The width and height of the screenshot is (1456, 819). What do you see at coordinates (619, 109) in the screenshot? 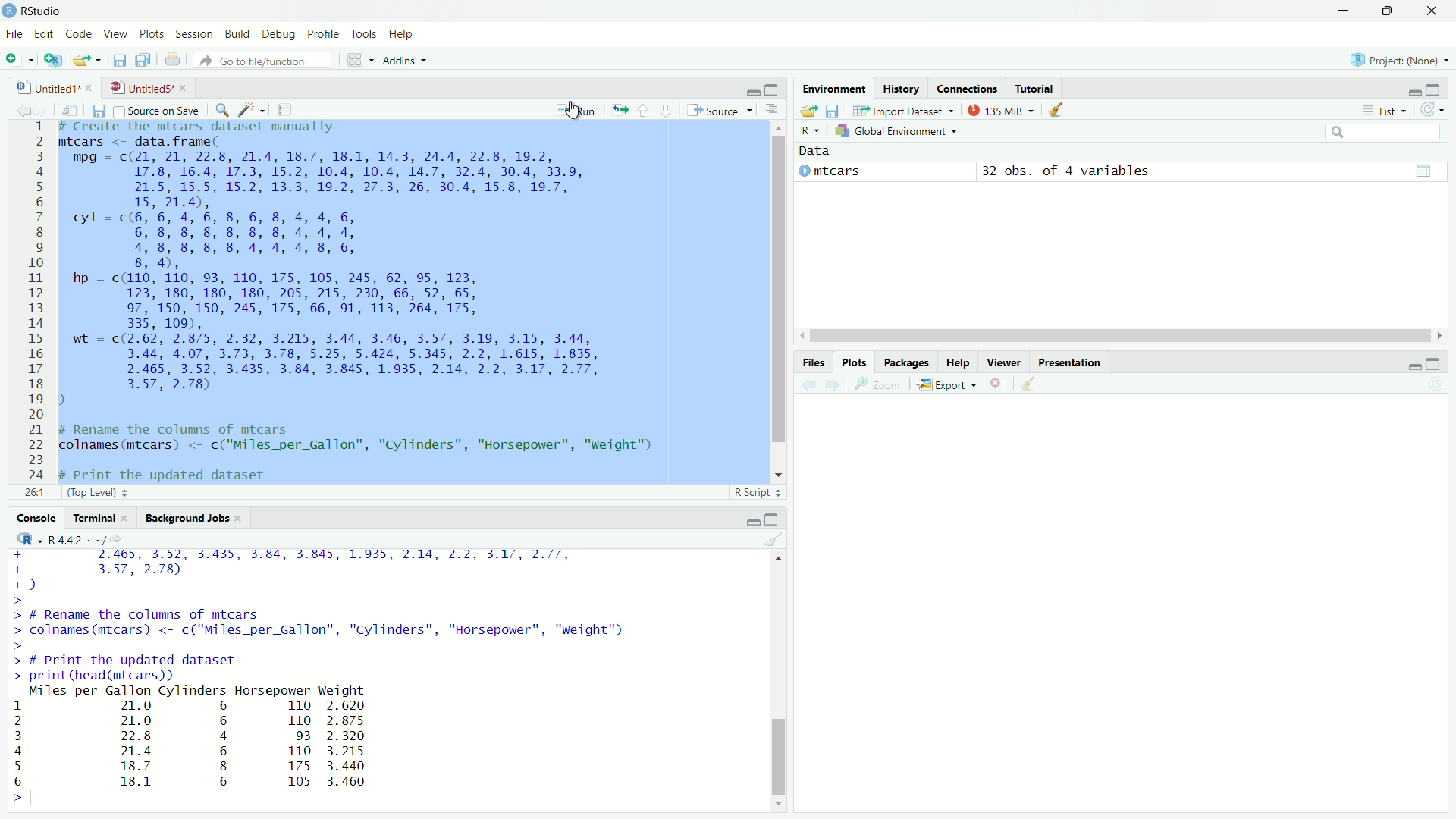
I see `move` at bounding box center [619, 109].